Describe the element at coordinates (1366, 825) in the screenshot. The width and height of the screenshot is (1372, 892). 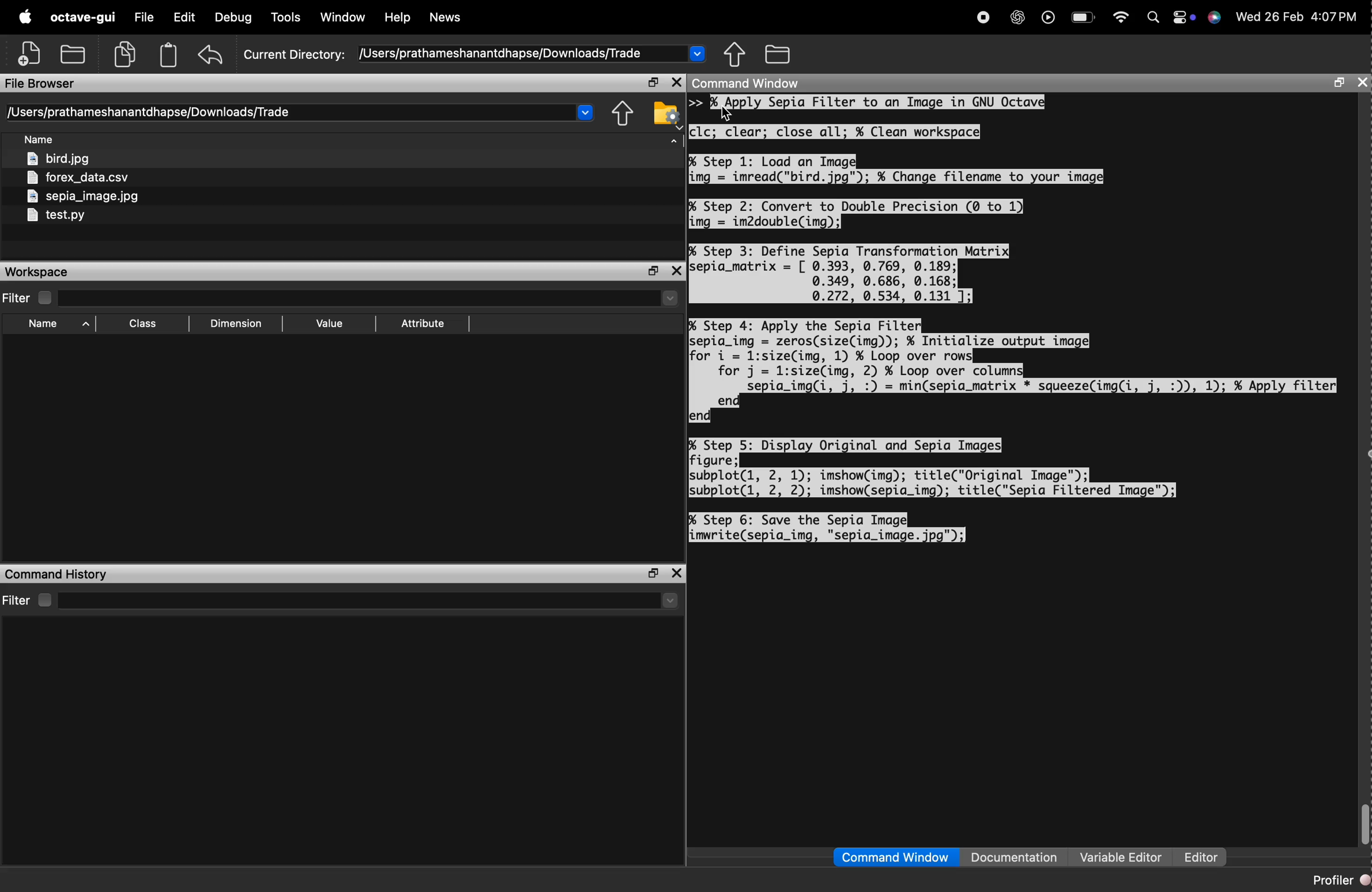
I see `scrollbar` at that location.